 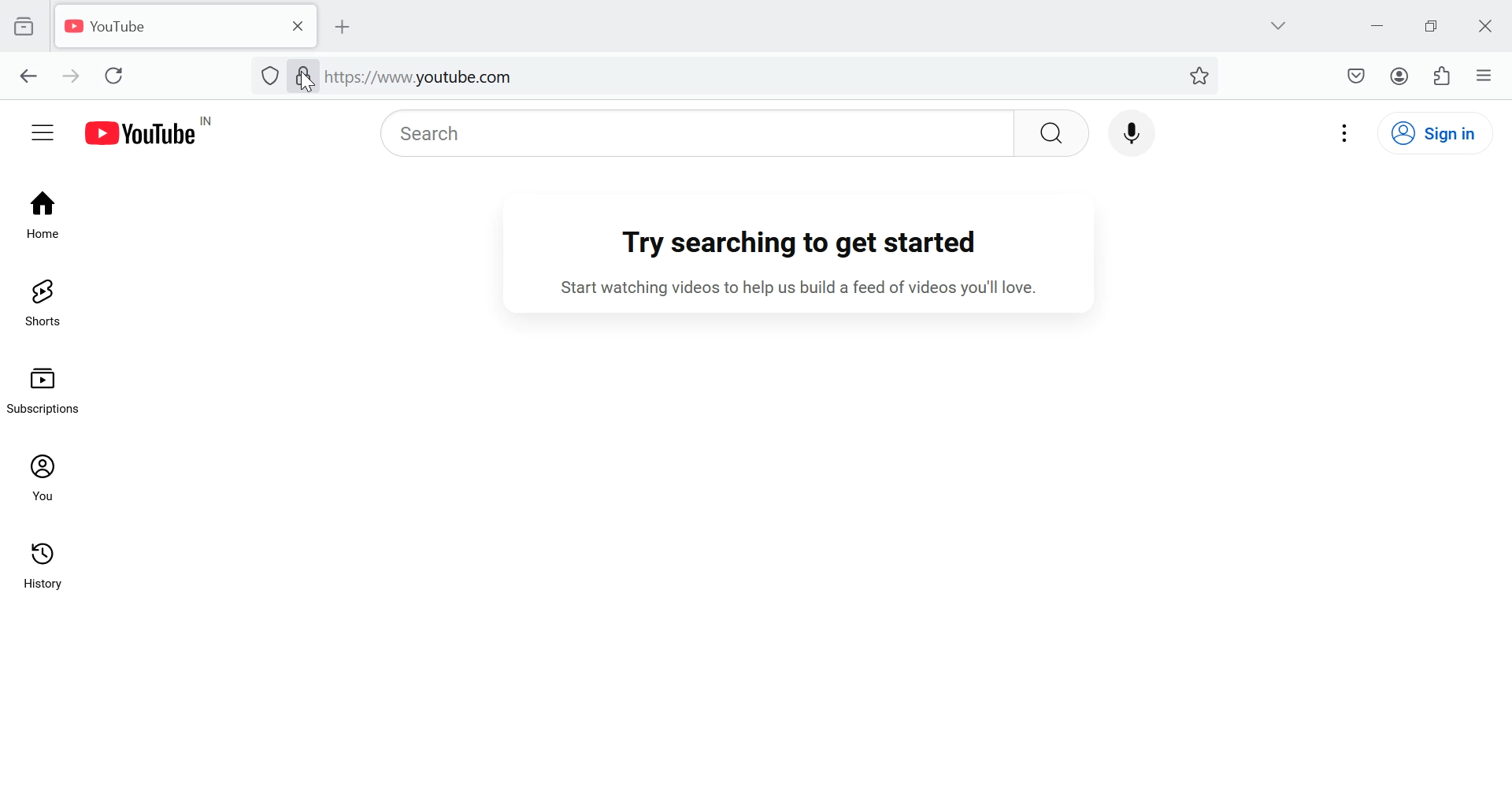 What do you see at coordinates (295, 25) in the screenshot?
I see `Close` at bounding box center [295, 25].